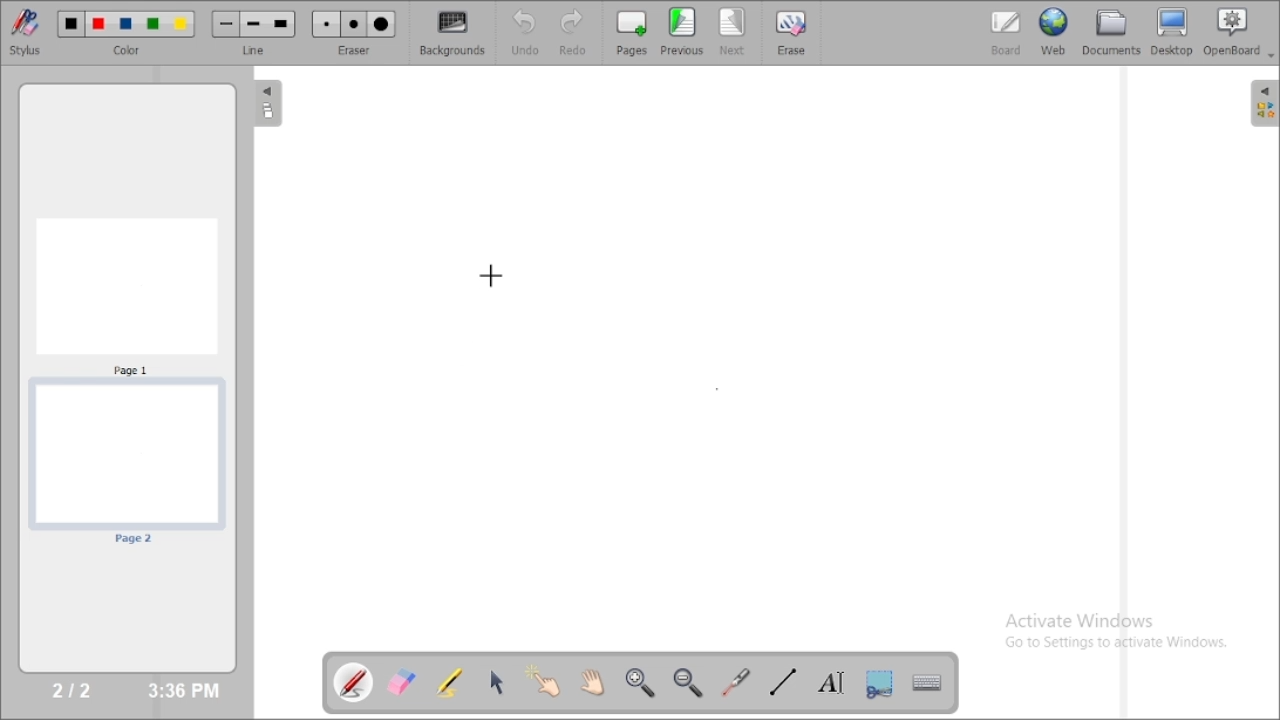  Describe the element at coordinates (127, 295) in the screenshot. I see `Page 1` at that location.